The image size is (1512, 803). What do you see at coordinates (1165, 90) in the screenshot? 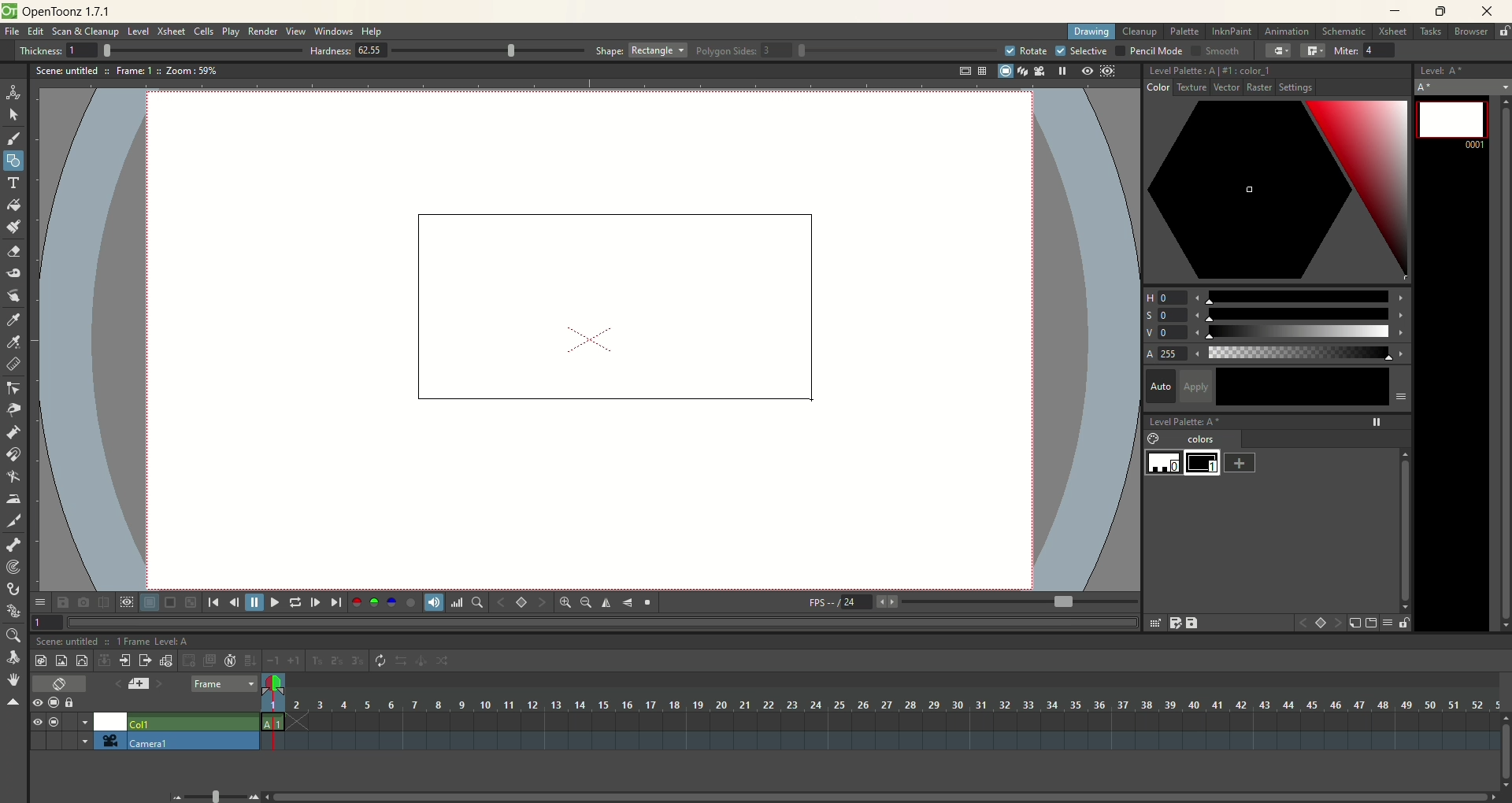
I see `color` at bounding box center [1165, 90].